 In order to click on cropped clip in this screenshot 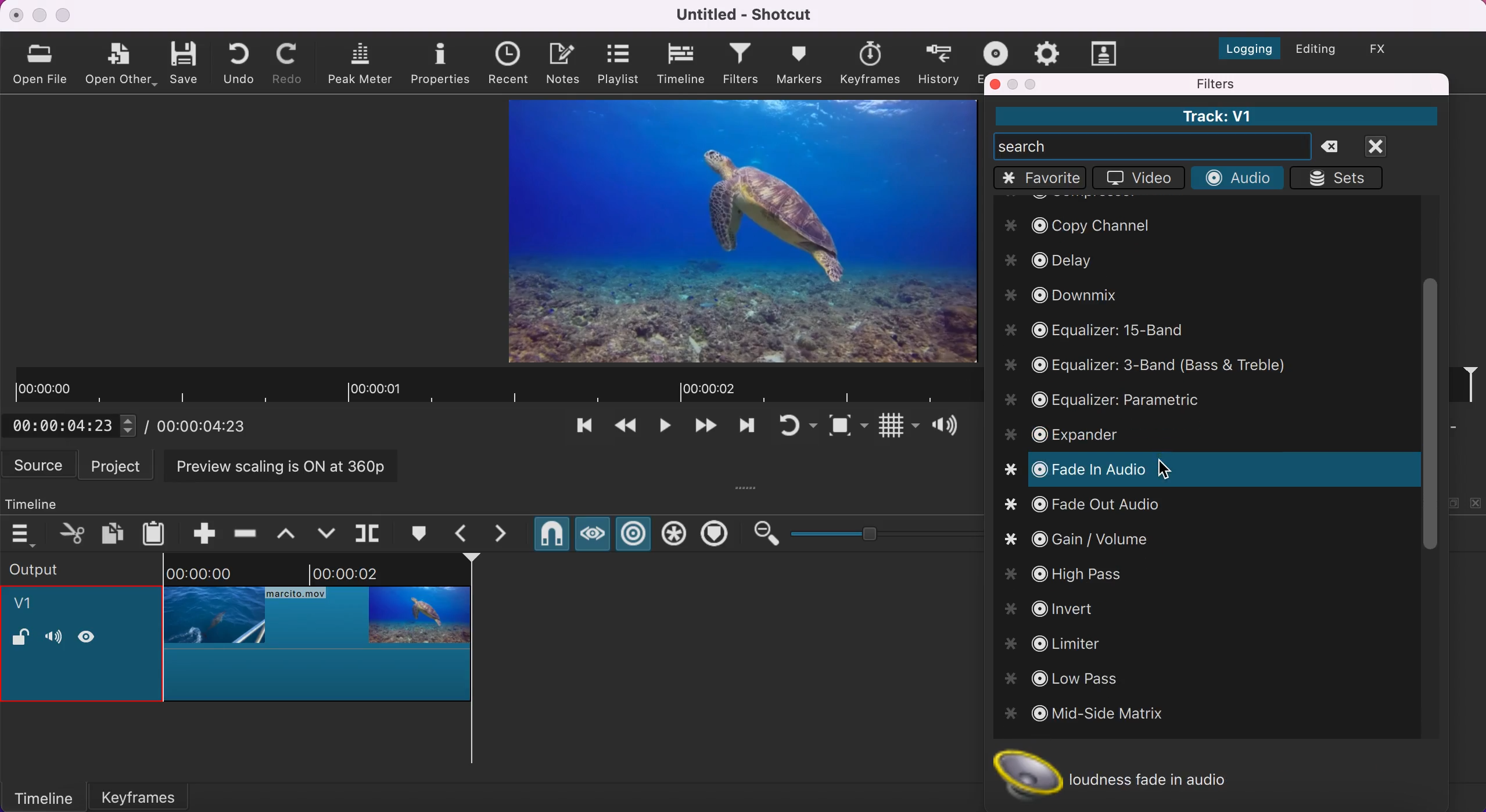, I will do `click(318, 635)`.